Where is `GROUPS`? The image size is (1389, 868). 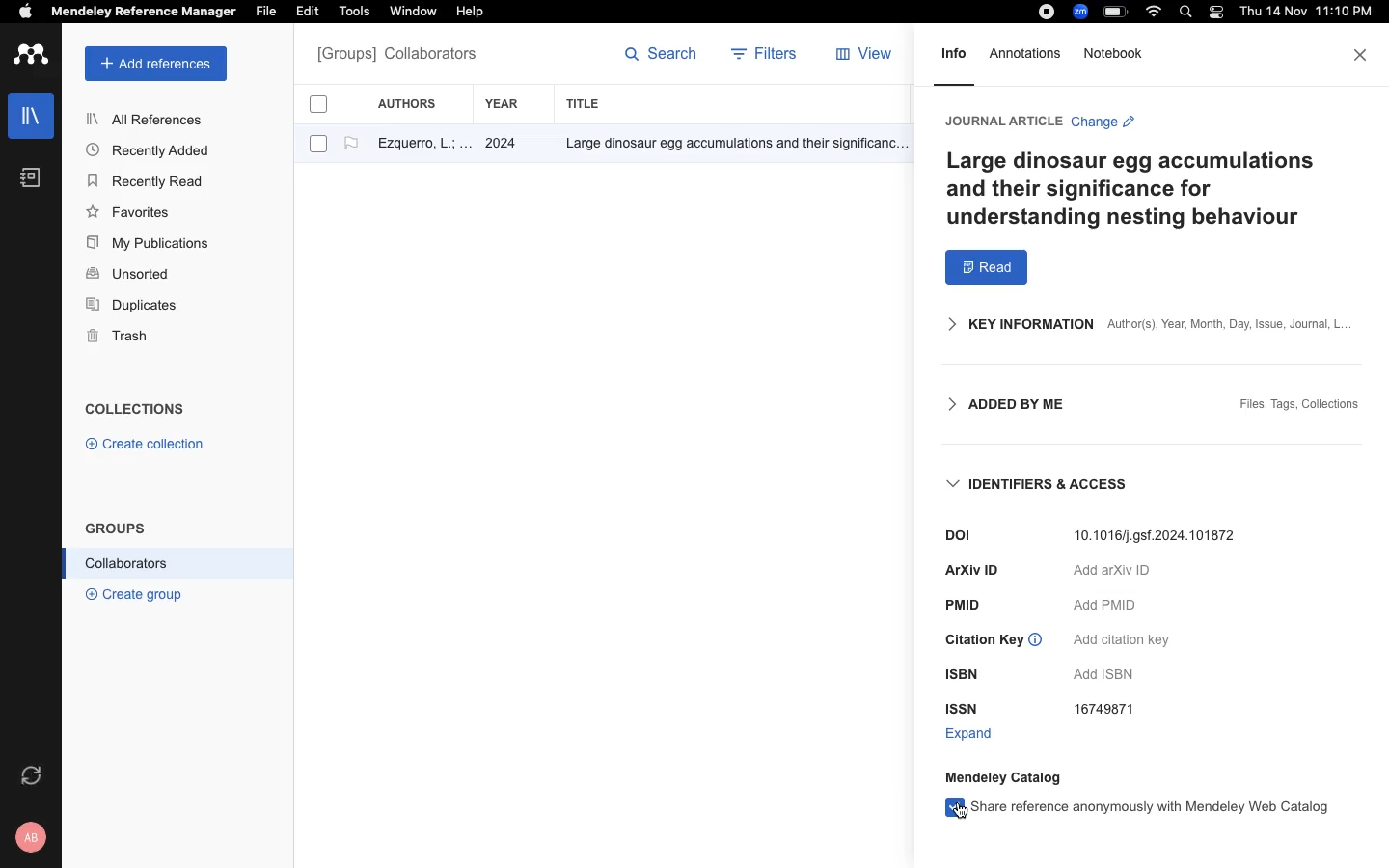
GROUPS is located at coordinates (116, 527).